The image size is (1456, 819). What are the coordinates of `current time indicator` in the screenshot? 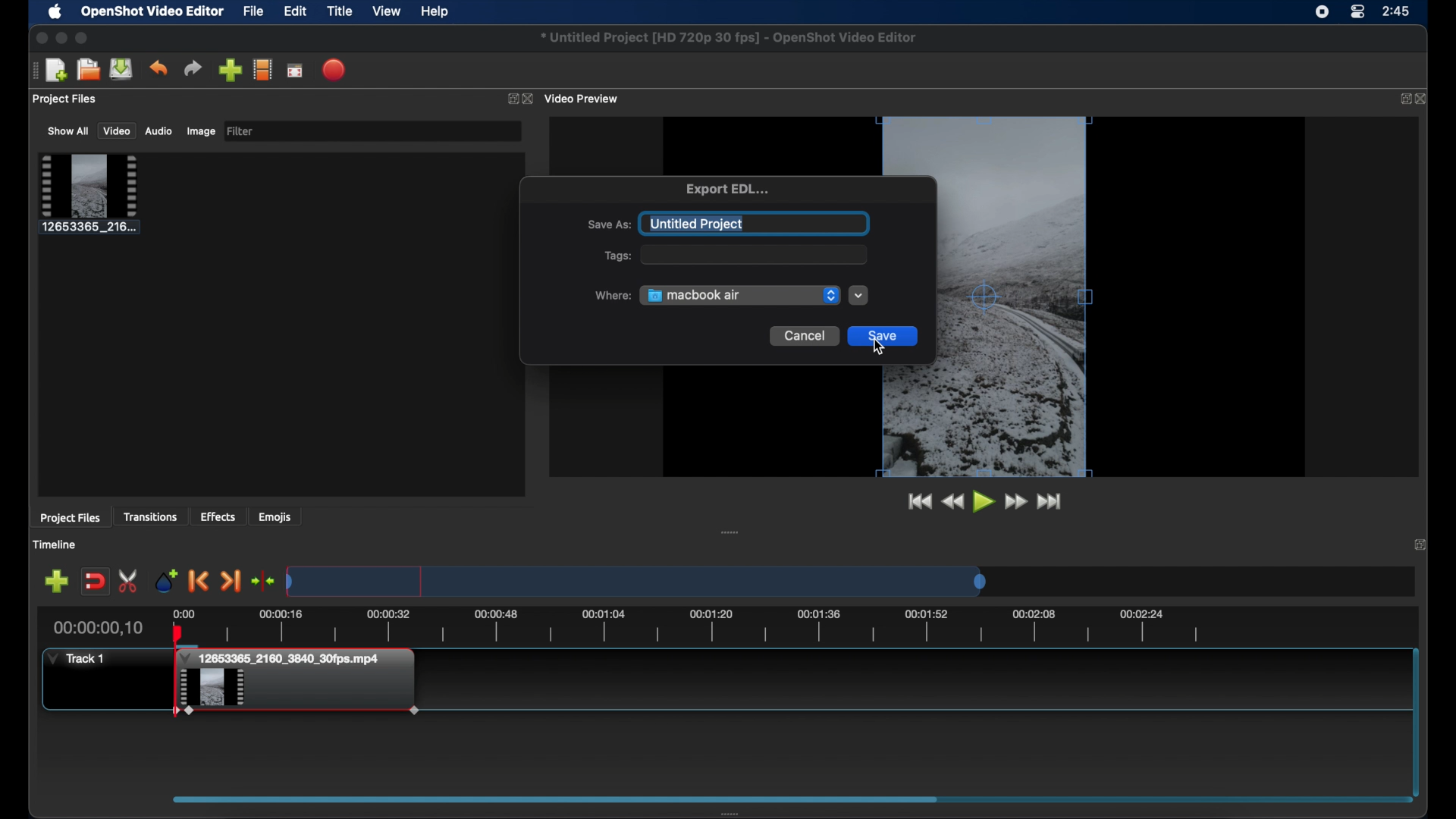 It's located at (102, 626).